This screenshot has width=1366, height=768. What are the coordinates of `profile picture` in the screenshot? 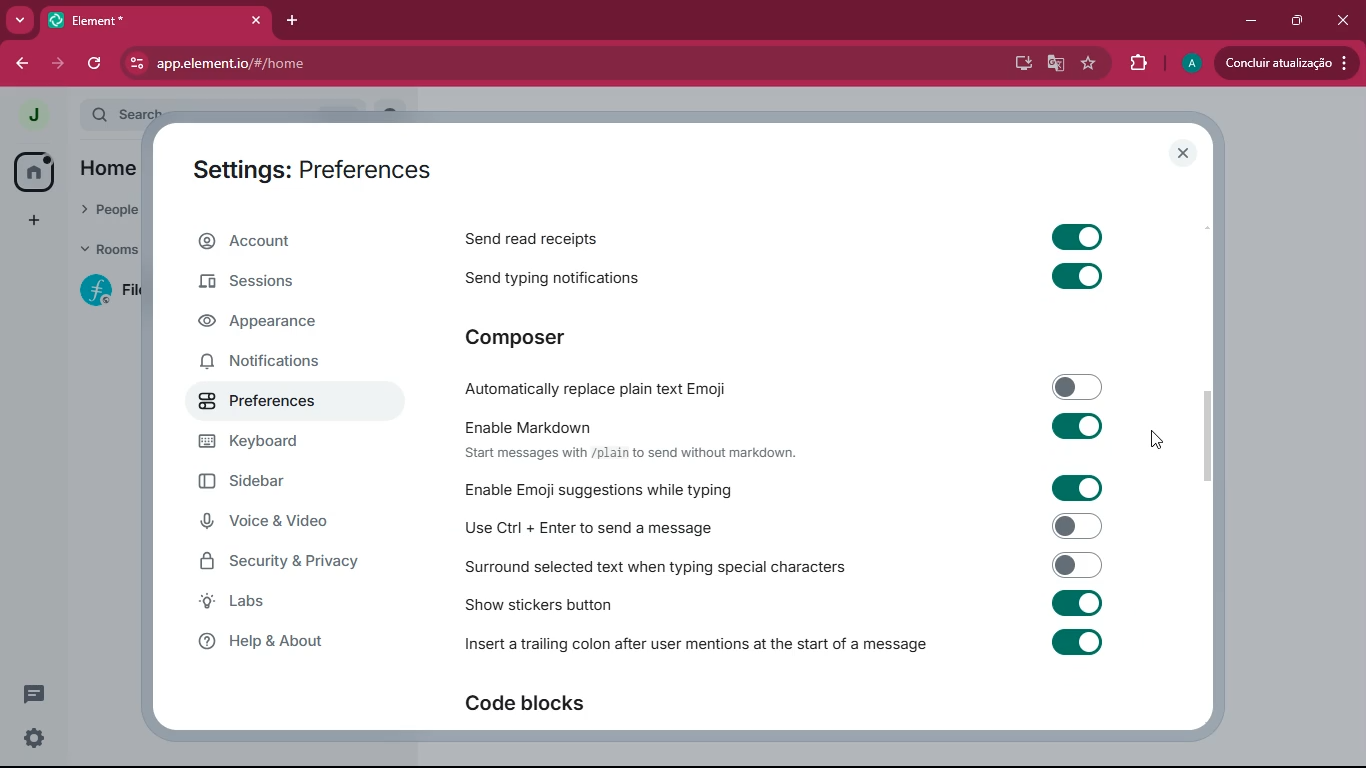 It's located at (33, 115).